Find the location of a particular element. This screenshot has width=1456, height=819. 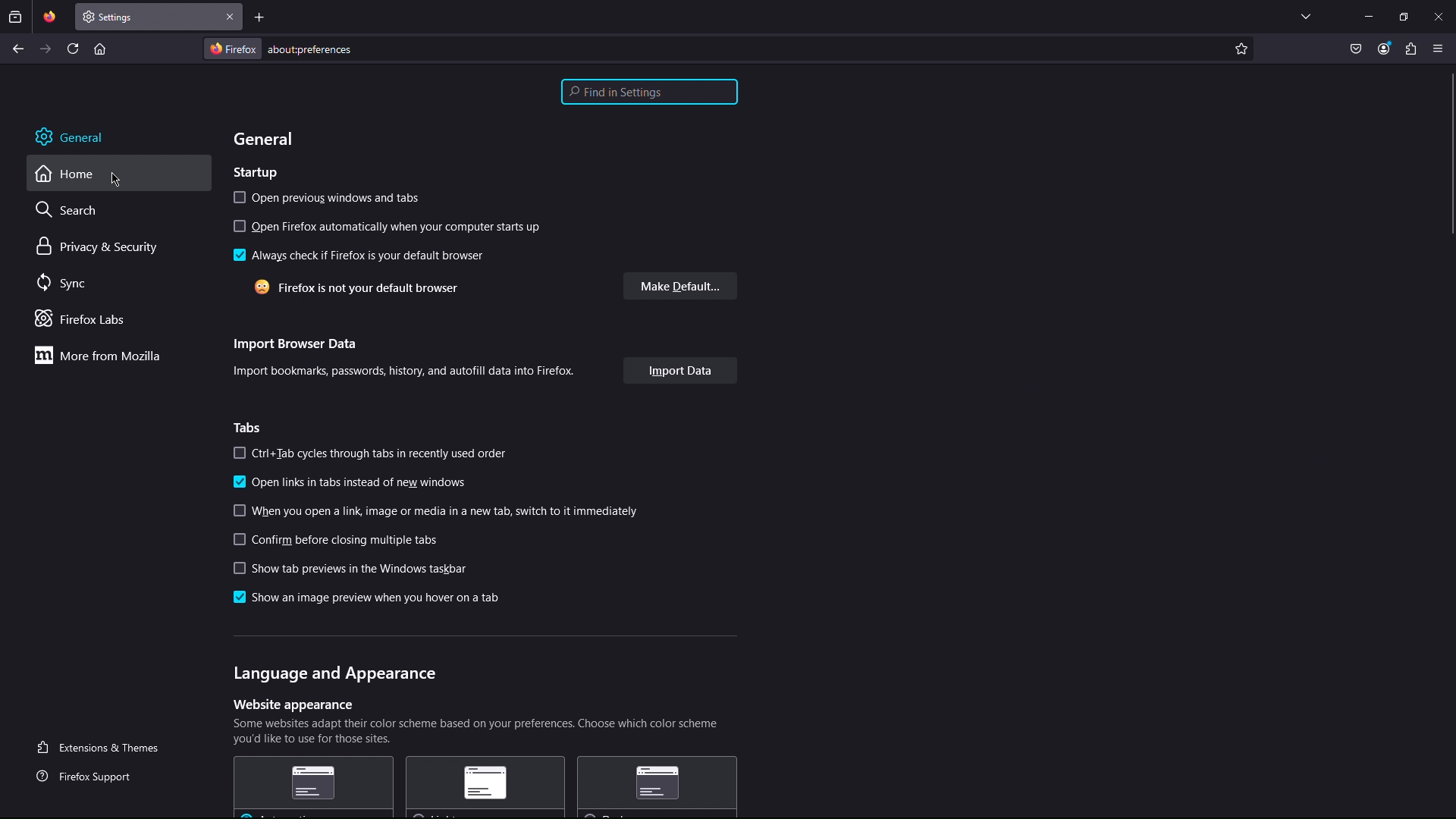

Tabs is located at coordinates (248, 428).